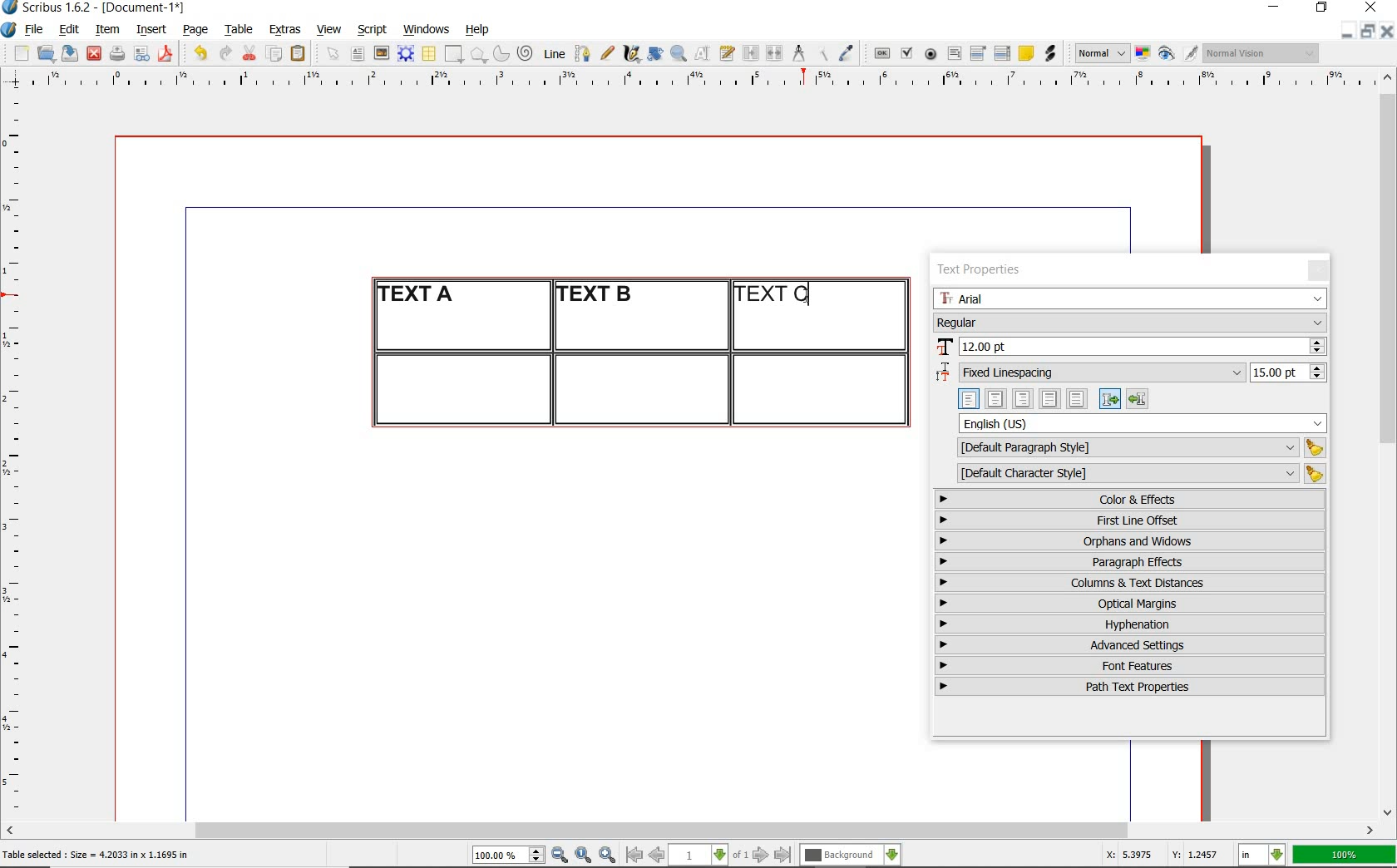  What do you see at coordinates (979, 52) in the screenshot?
I see `pdf combo box` at bounding box center [979, 52].